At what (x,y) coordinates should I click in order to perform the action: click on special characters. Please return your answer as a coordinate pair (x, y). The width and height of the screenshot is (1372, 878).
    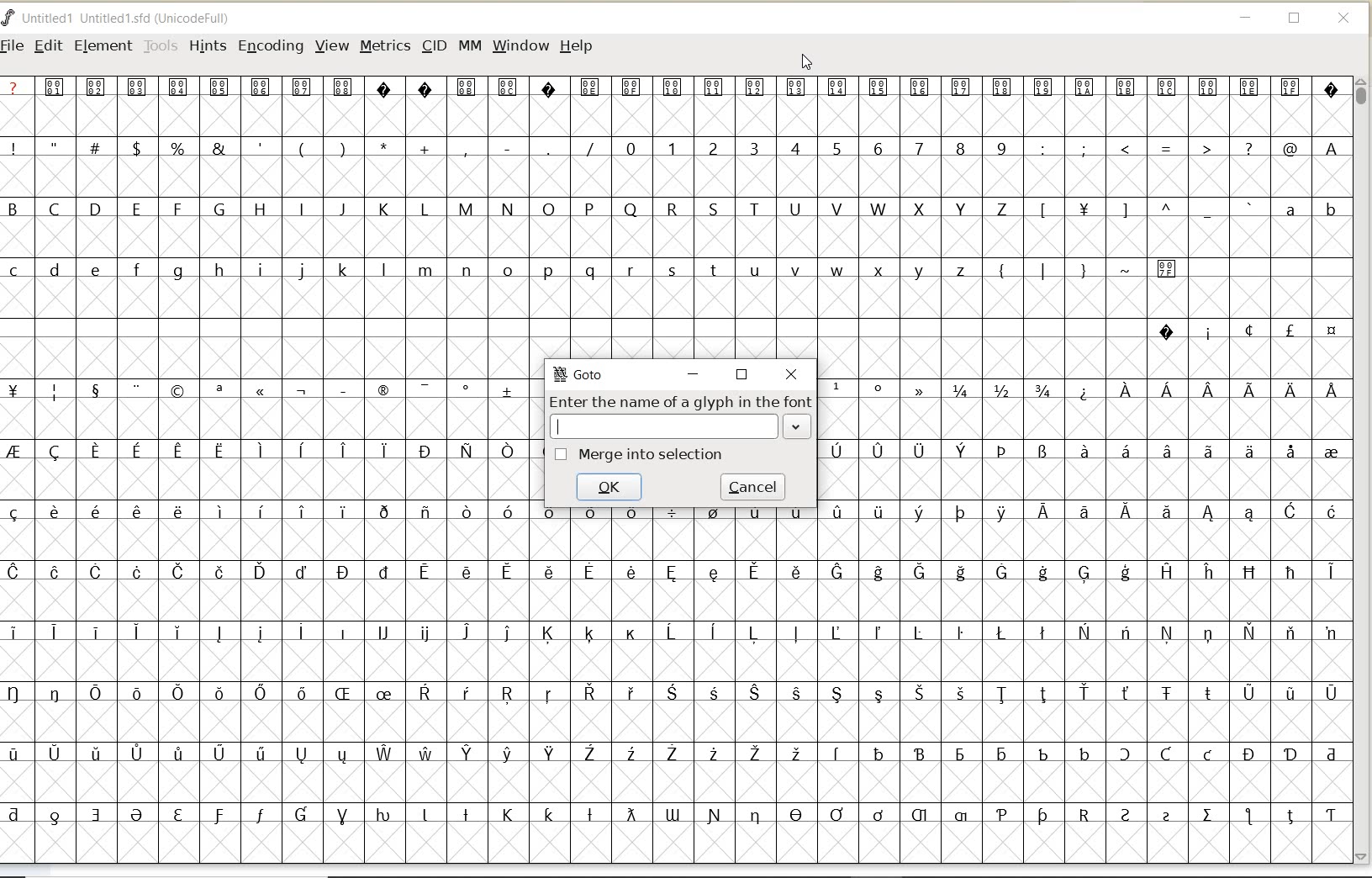
    Looking at the image, I should click on (1247, 331).